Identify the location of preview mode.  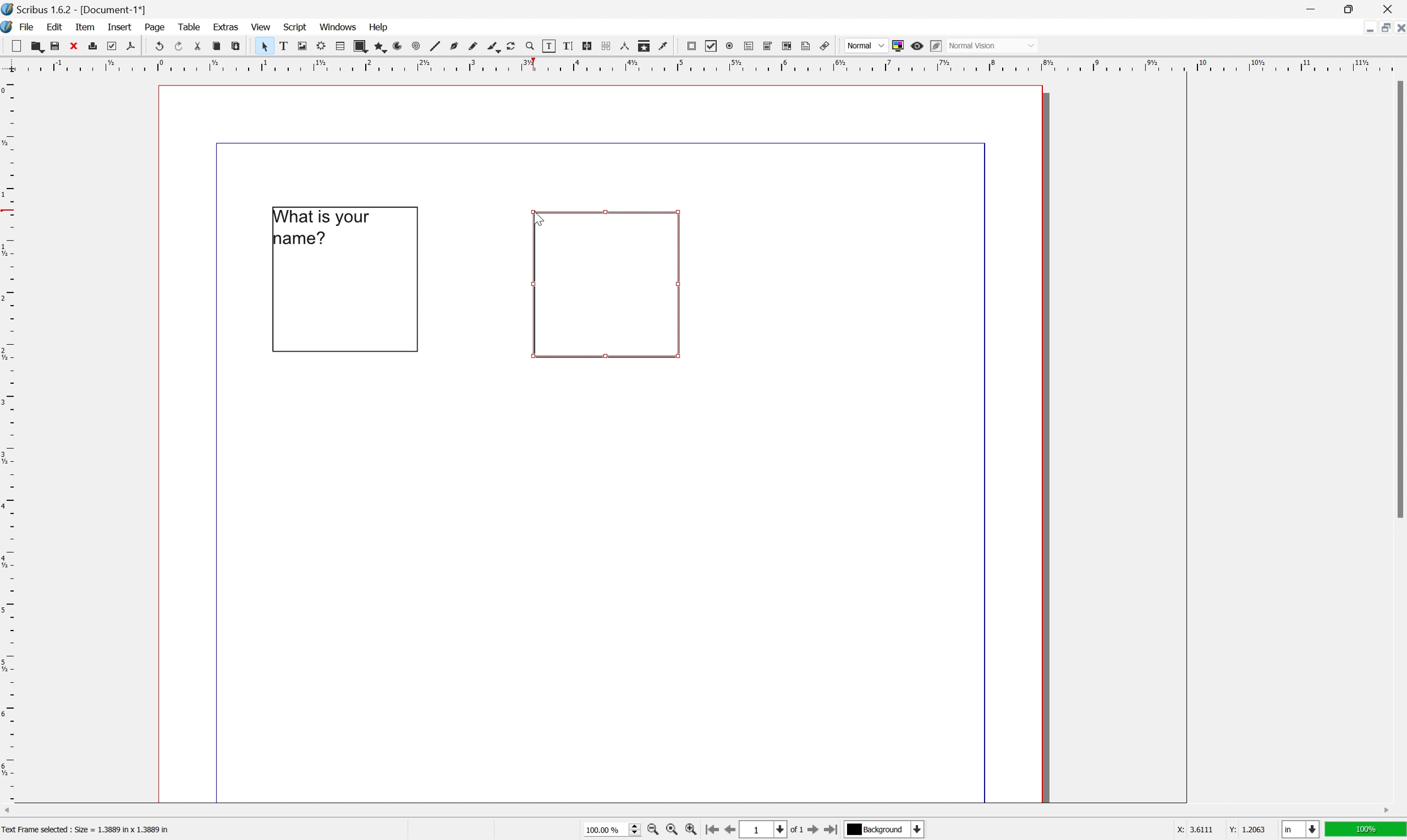
(916, 45).